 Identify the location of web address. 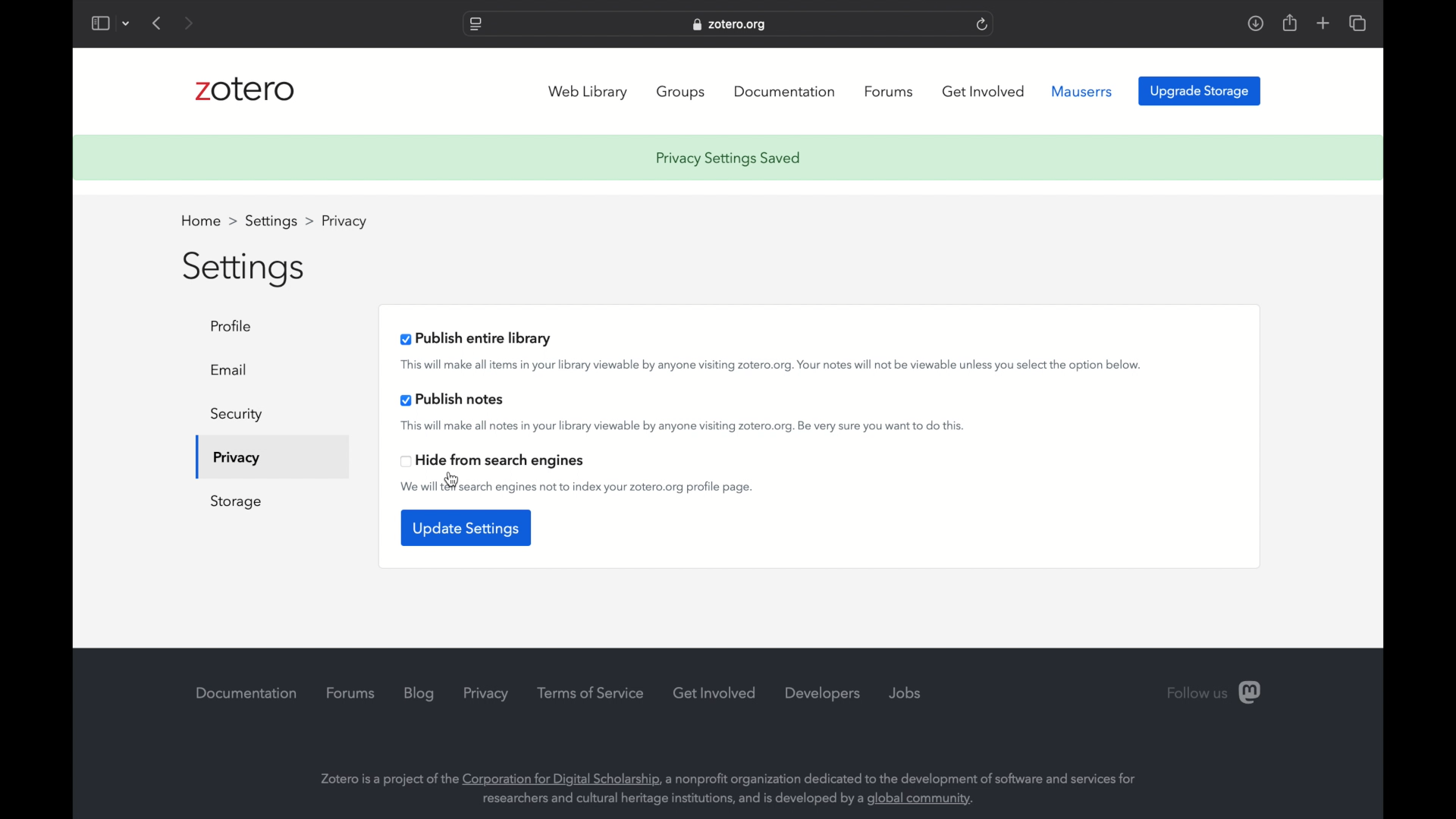
(731, 24).